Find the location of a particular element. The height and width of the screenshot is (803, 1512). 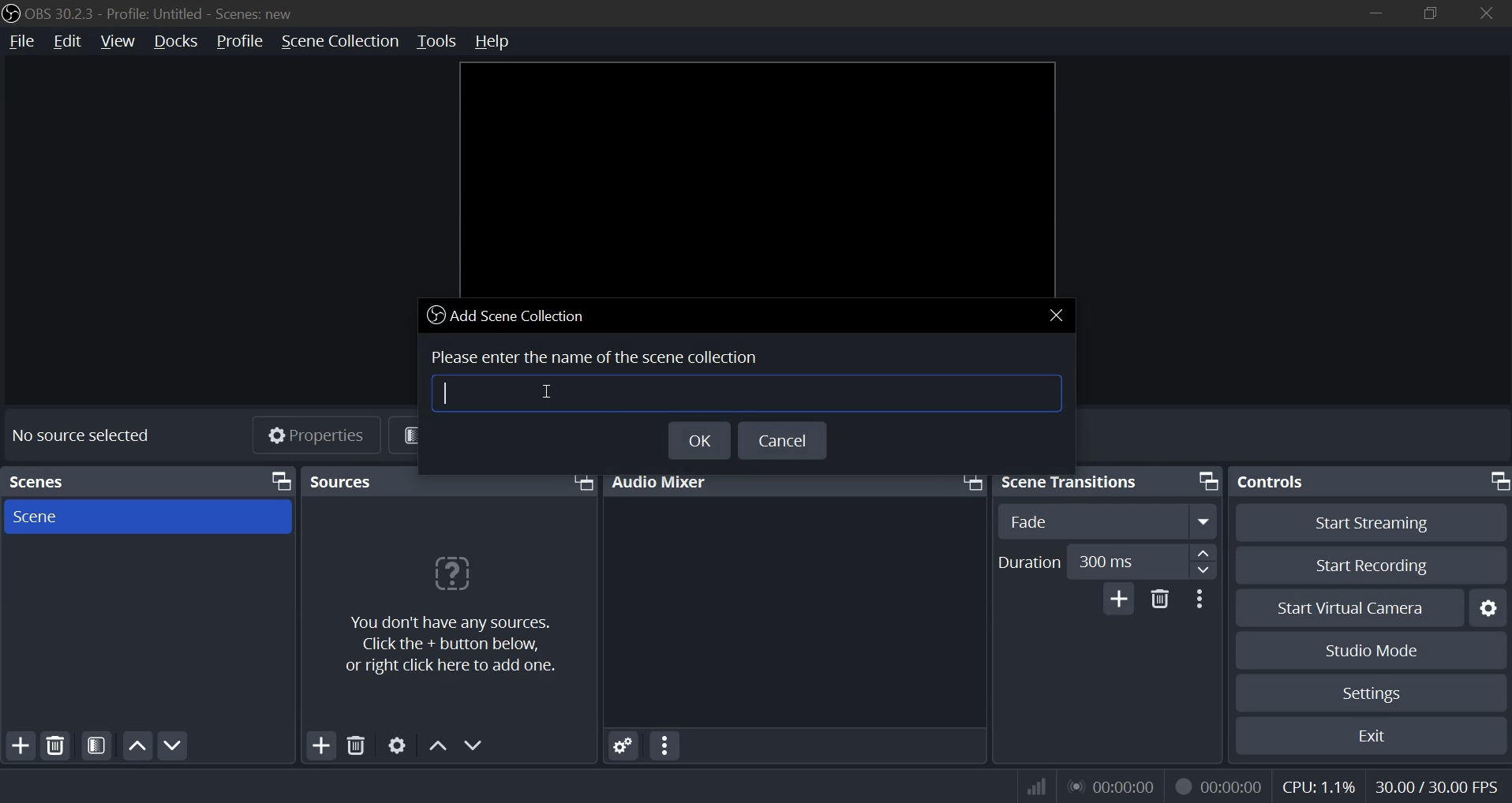

minimize is located at coordinates (1376, 11).